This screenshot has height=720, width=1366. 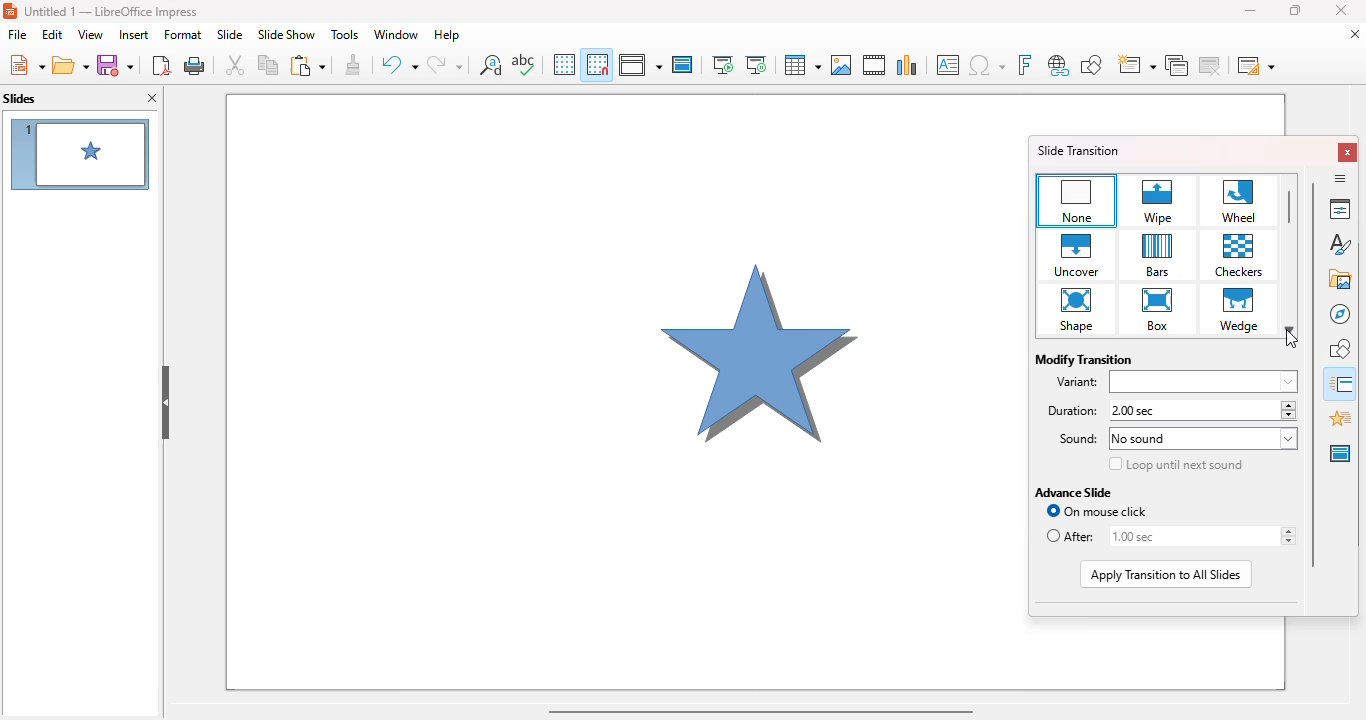 I want to click on shapes, so click(x=1342, y=348).